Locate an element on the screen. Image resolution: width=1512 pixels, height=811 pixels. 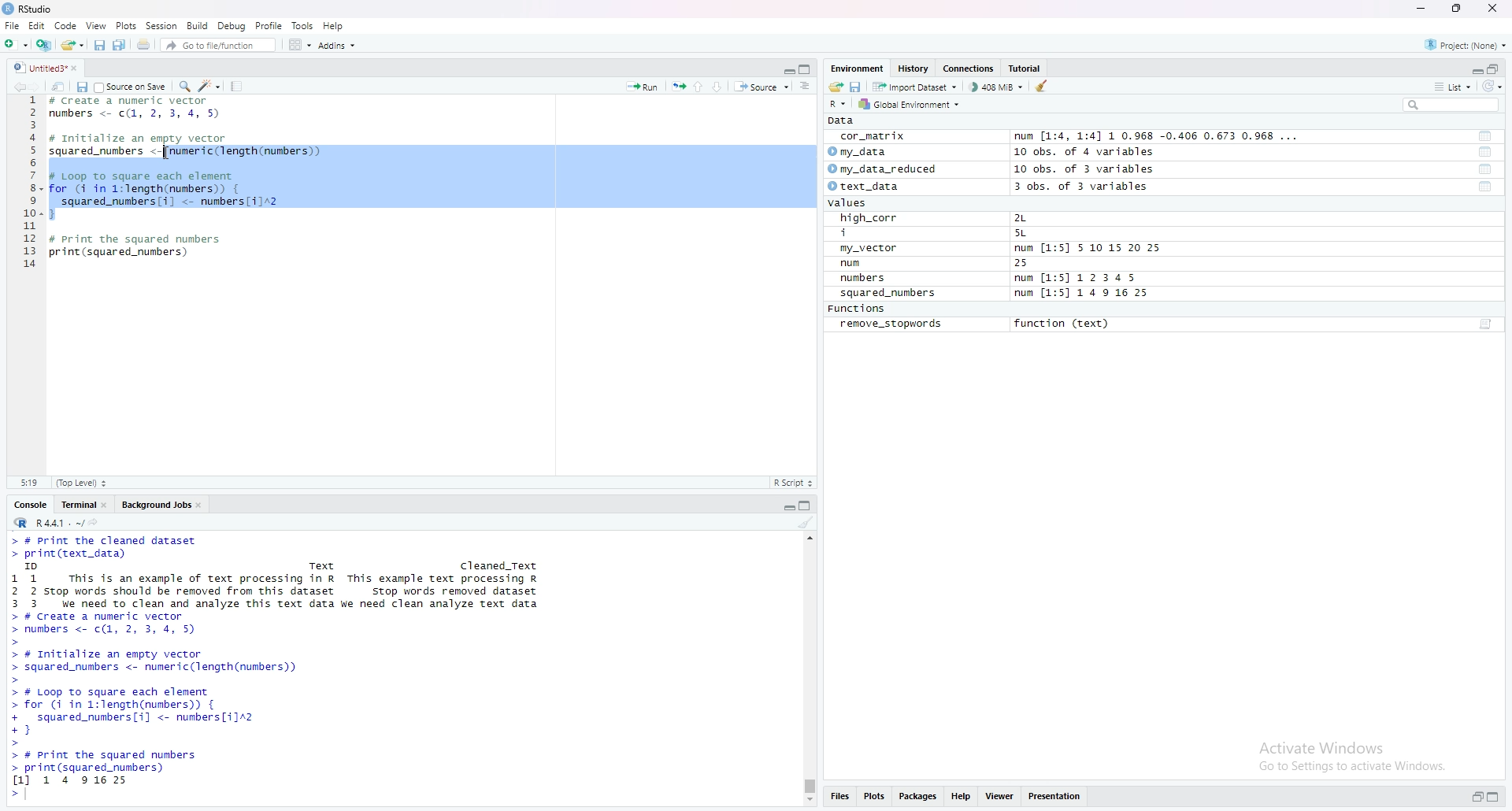
10 obs. of 3 variables is located at coordinates (1084, 169).